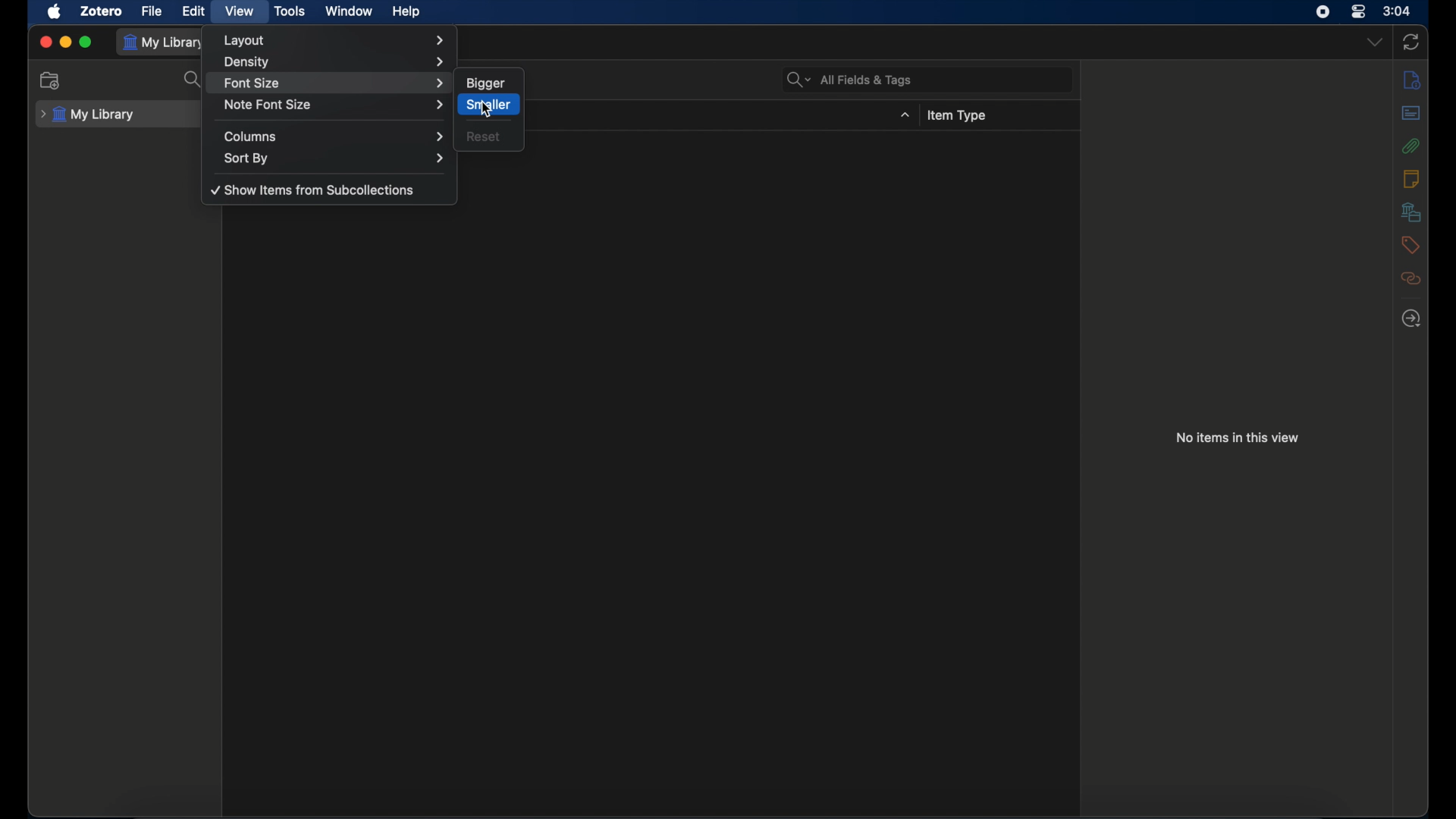  I want to click on sync, so click(1411, 42).